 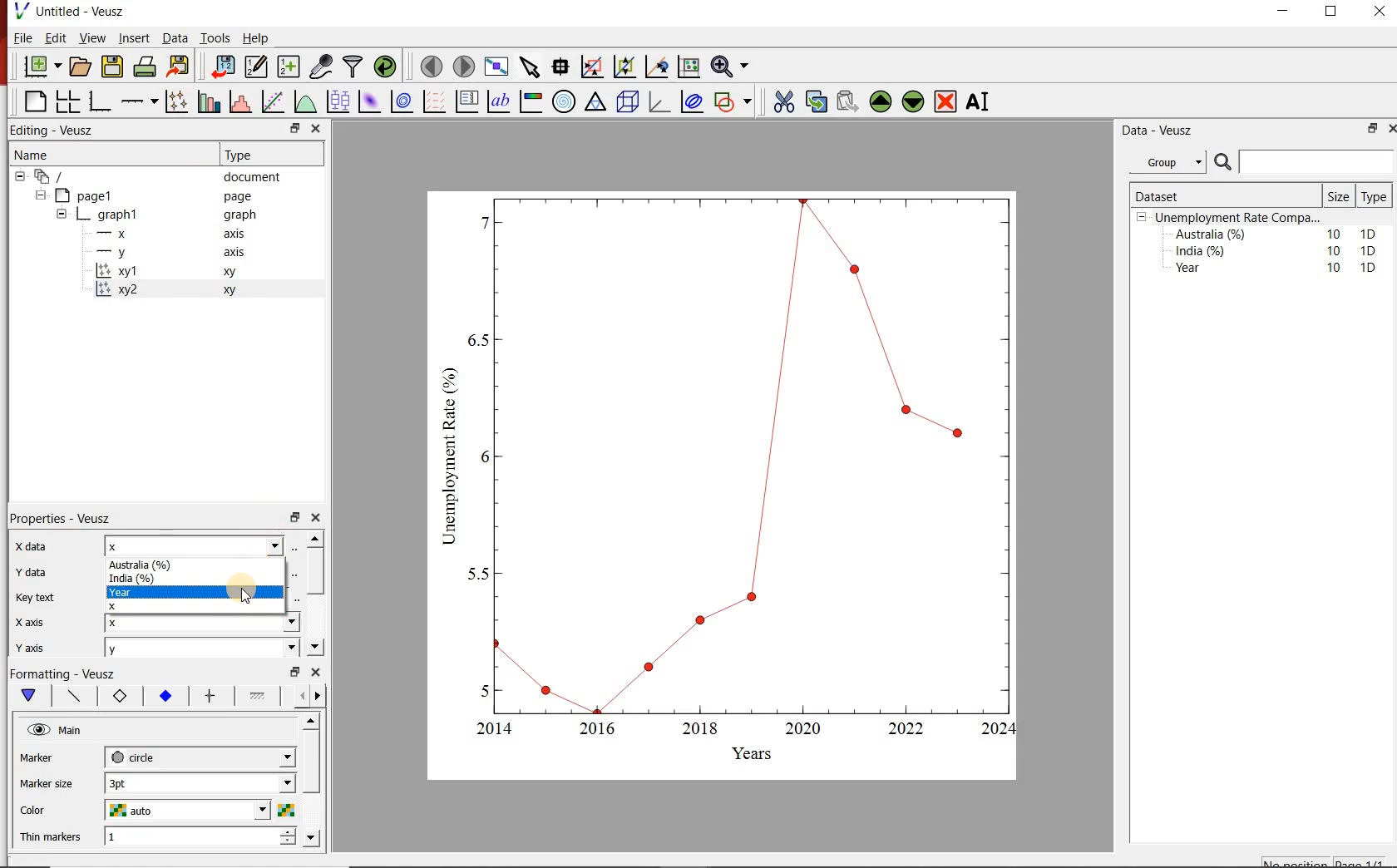 What do you see at coordinates (258, 65) in the screenshot?
I see `edit and enter new datasets` at bounding box center [258, 65].